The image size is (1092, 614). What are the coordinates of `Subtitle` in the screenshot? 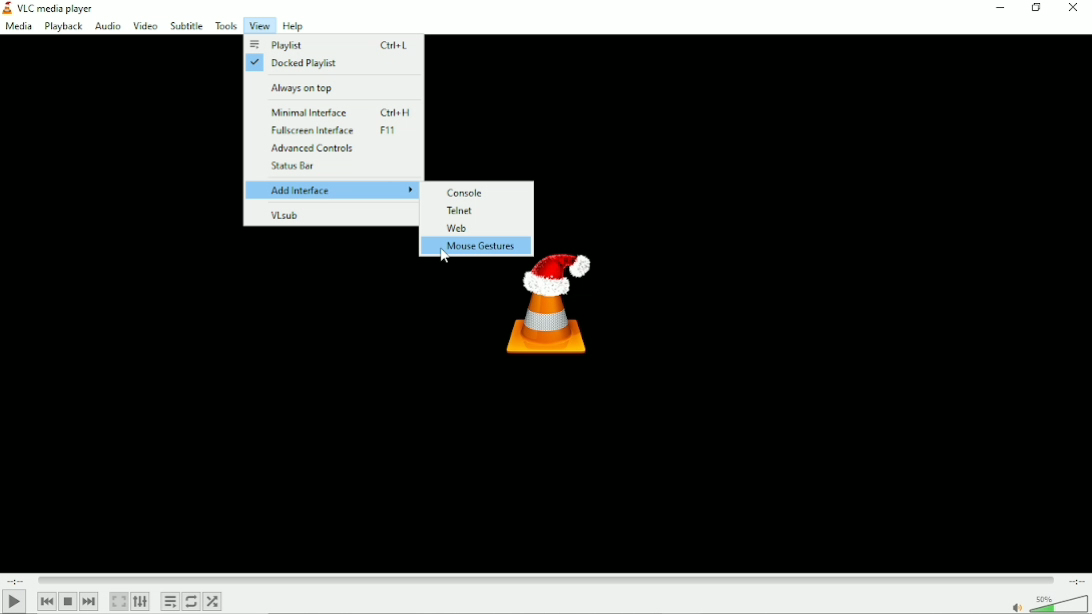 It's located at (186, 24).